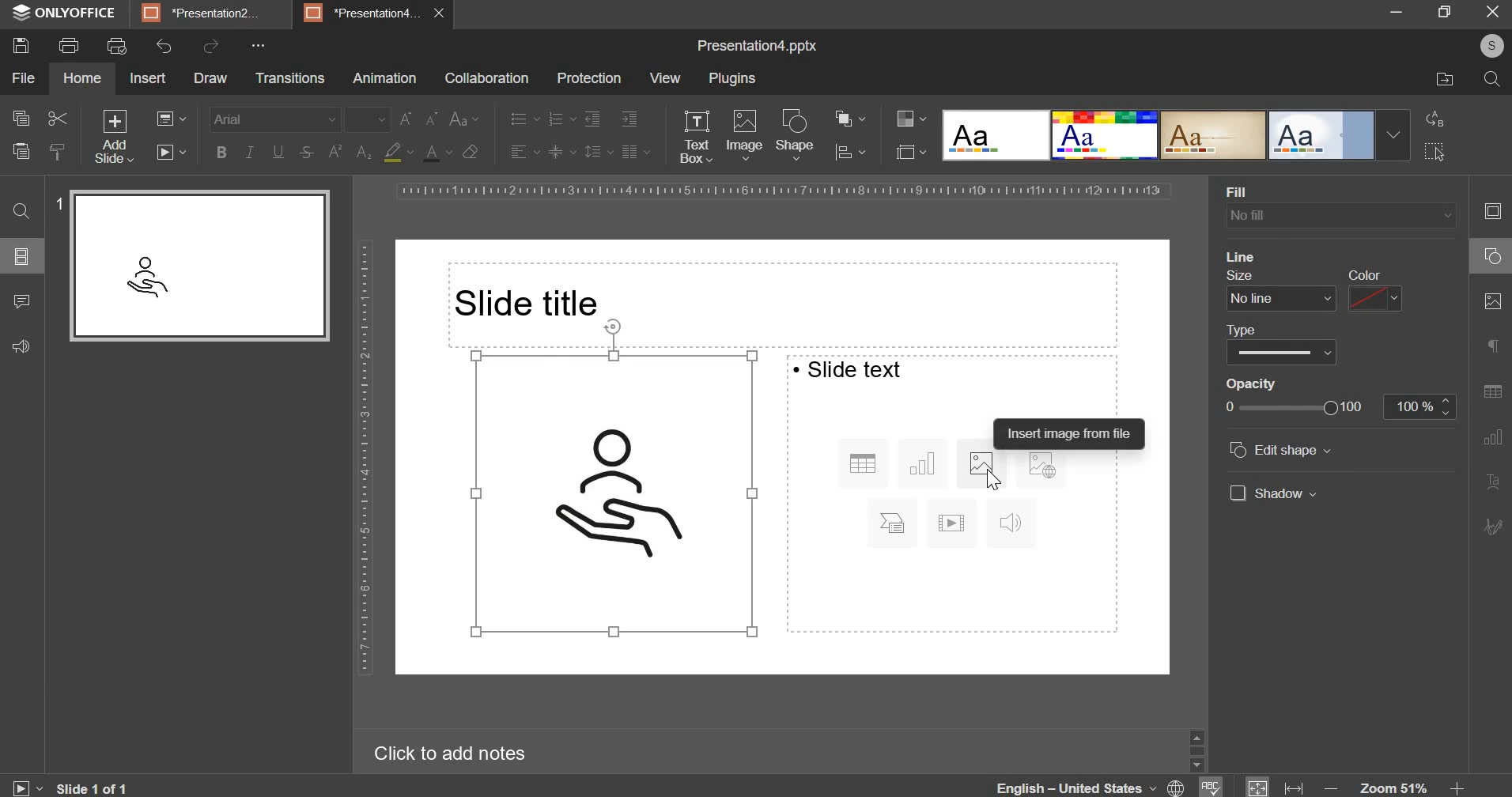  I want to click on show slide number, so click(1317, 448).